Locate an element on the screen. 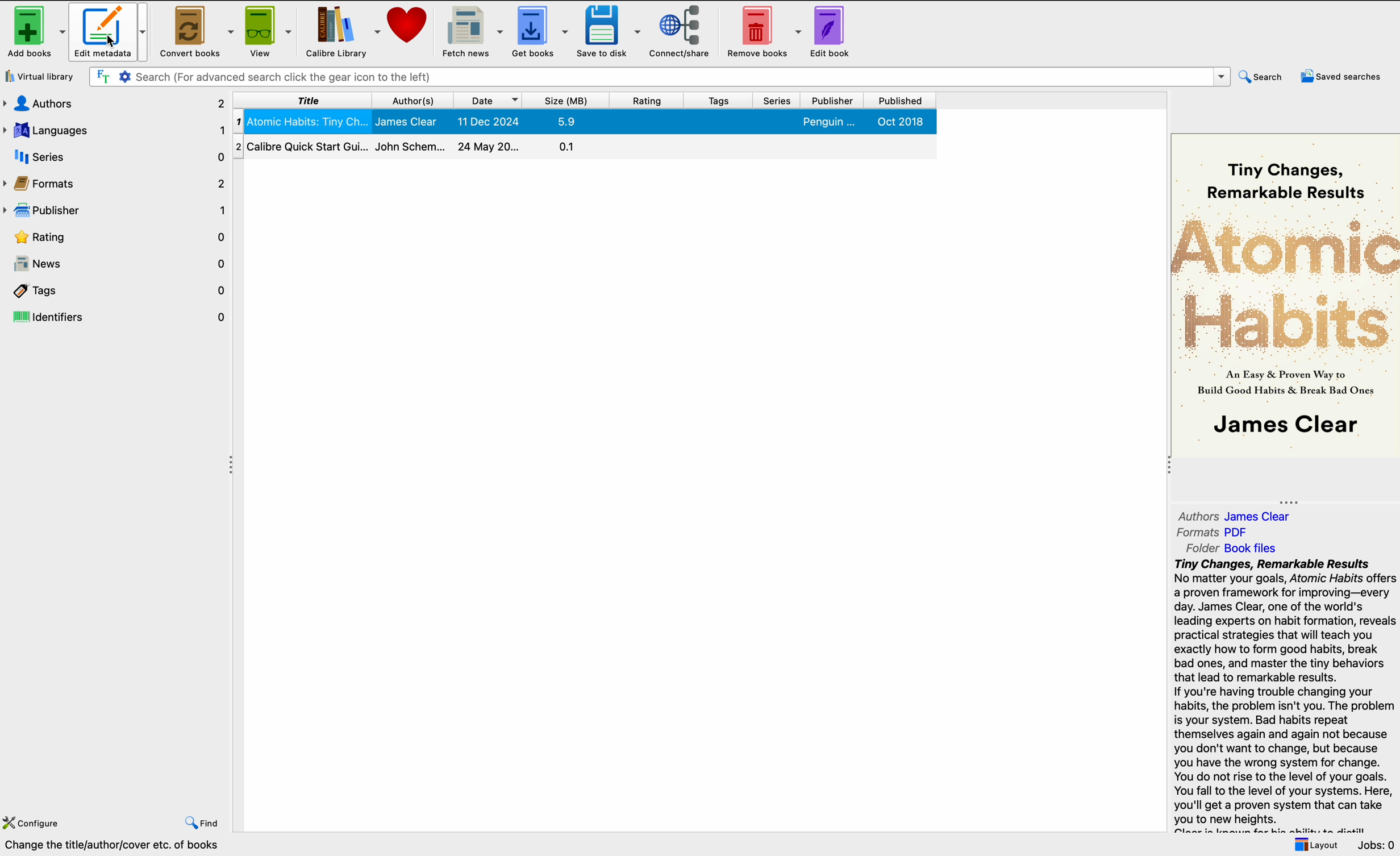 This screenshot has width=1400, height=856. Calibre library is located at coordinates (342, 31).